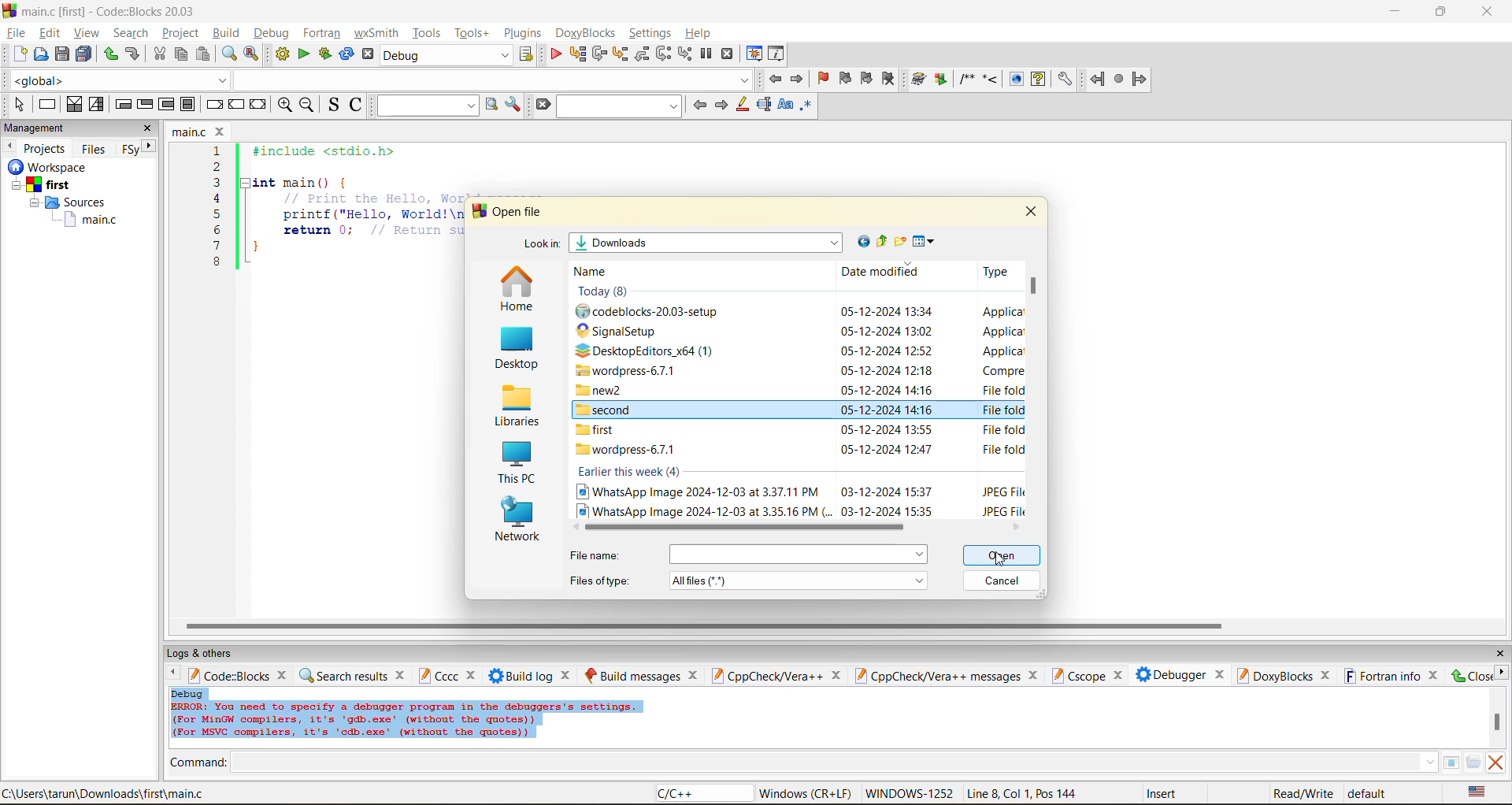 This screenshot has width=1512, height=805. What do you see at coordinates (608, 291) in the screenshot?
I see `Today (8)` at bounding box center [608, 291].